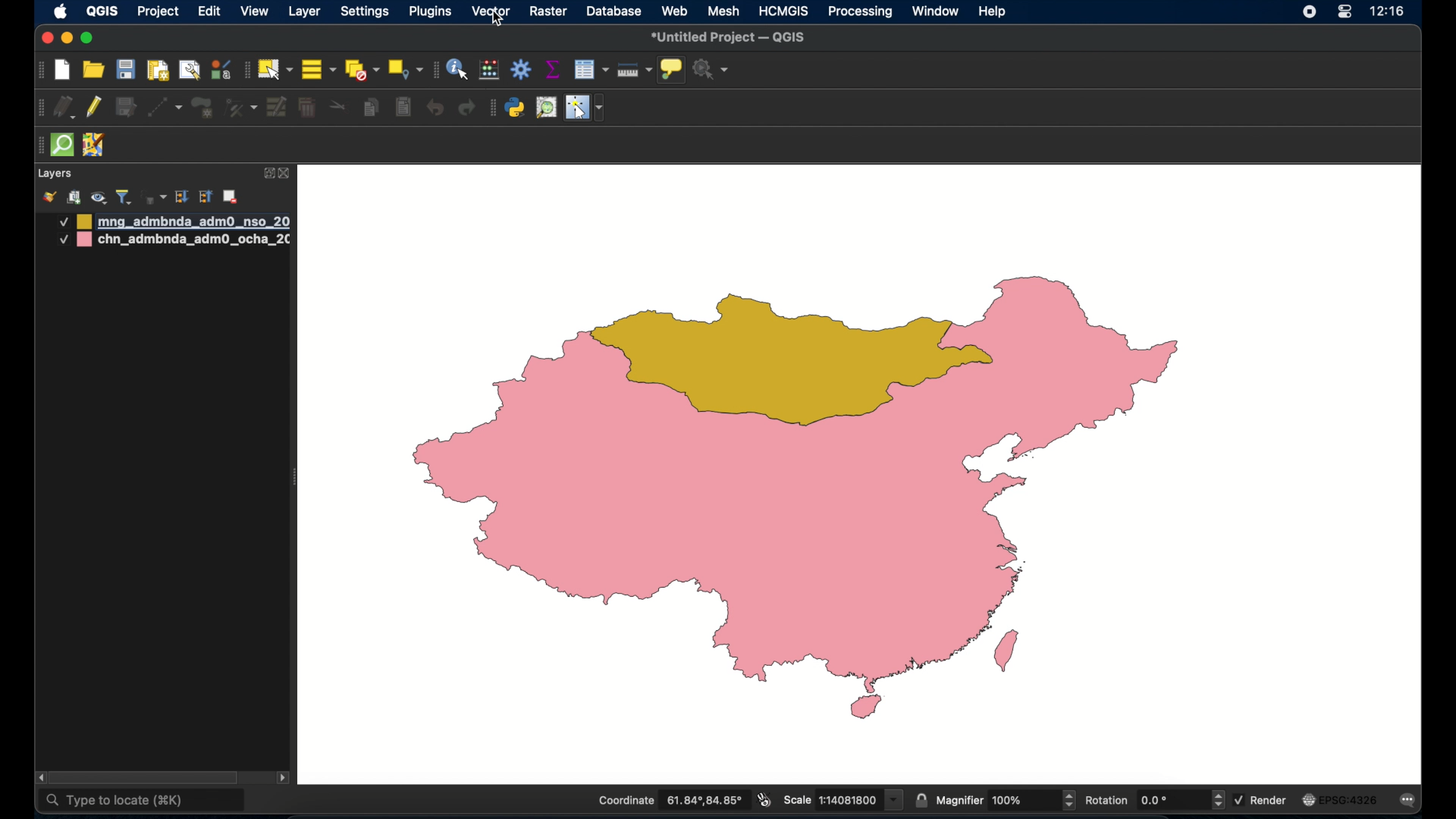  Describe the element at coordinates (591, 69) in the screenshot. I see `attributes table` at that location.